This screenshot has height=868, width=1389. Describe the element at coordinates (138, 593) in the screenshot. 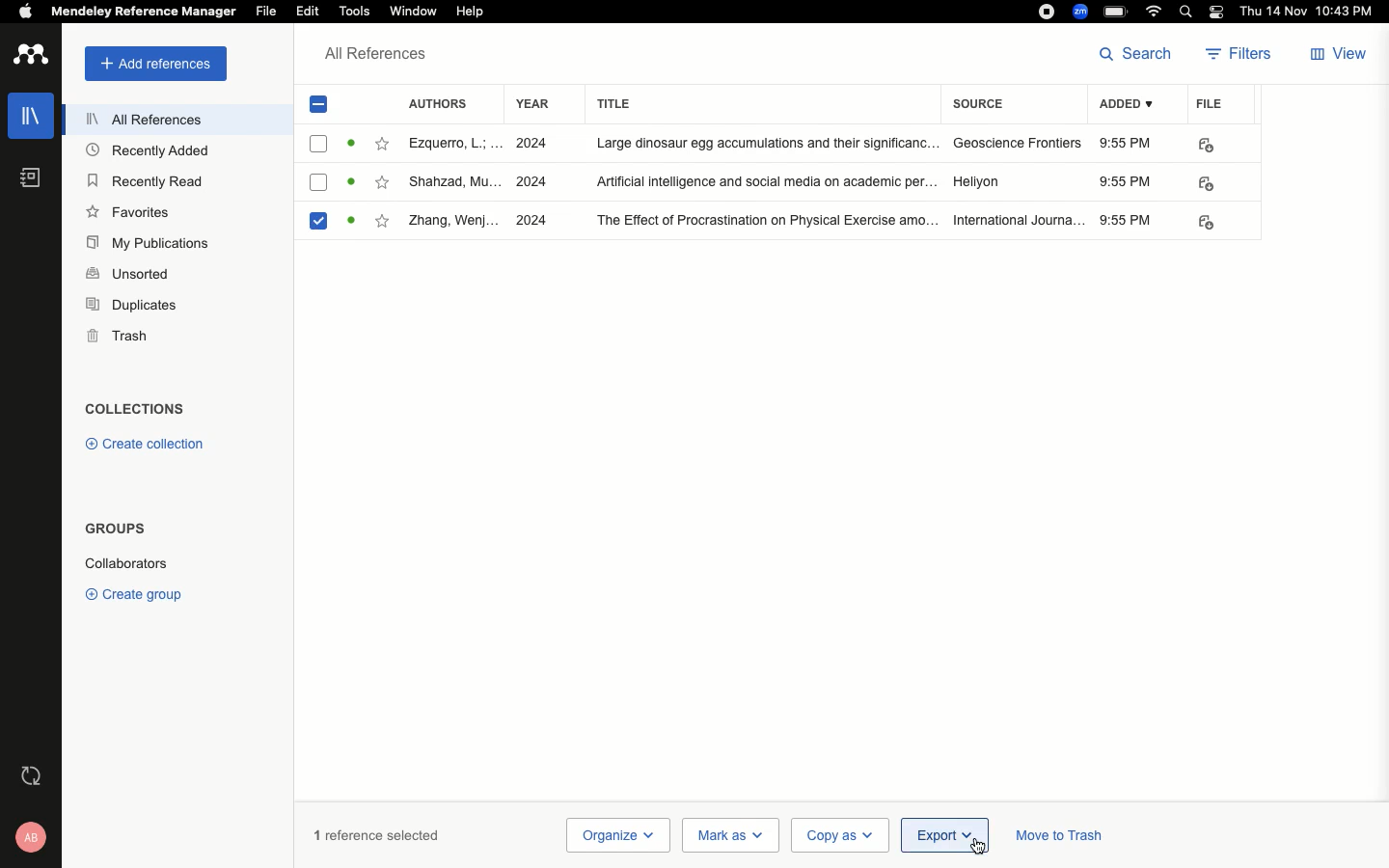

I see `Create group` at that location.